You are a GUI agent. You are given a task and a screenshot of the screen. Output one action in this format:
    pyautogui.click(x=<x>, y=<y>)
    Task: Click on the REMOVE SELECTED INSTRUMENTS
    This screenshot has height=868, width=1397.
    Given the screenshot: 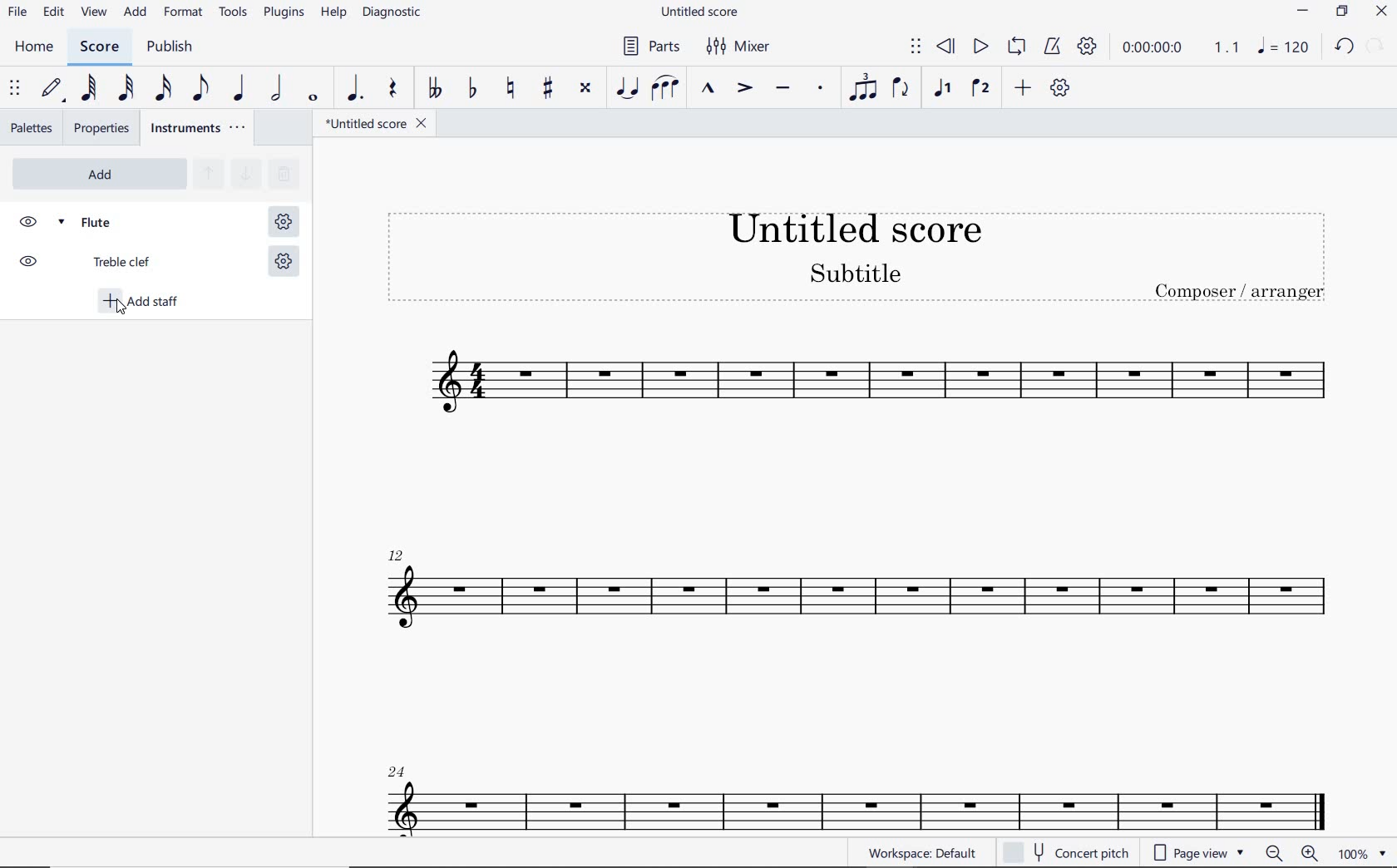 What is the action you would take?
    pyautogui.click(x=282, y=172)
    